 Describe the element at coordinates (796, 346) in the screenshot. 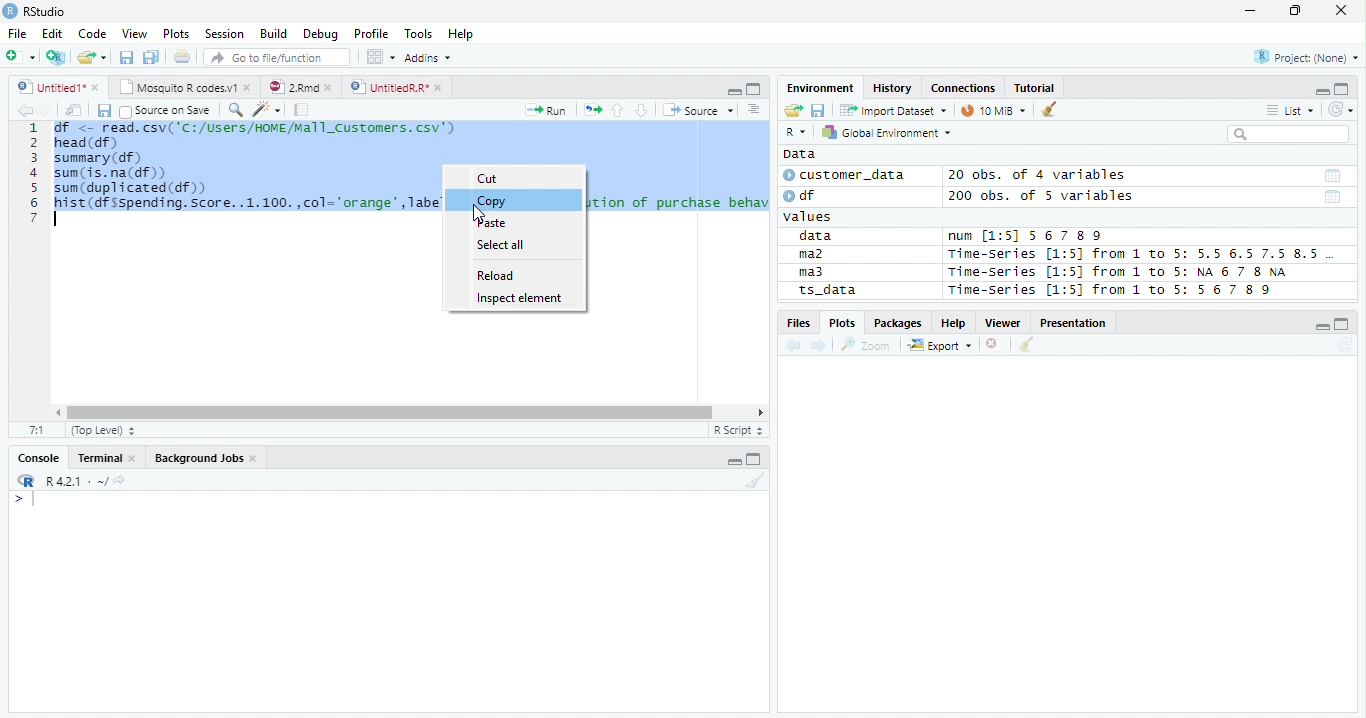

I see `Previous` at that location.